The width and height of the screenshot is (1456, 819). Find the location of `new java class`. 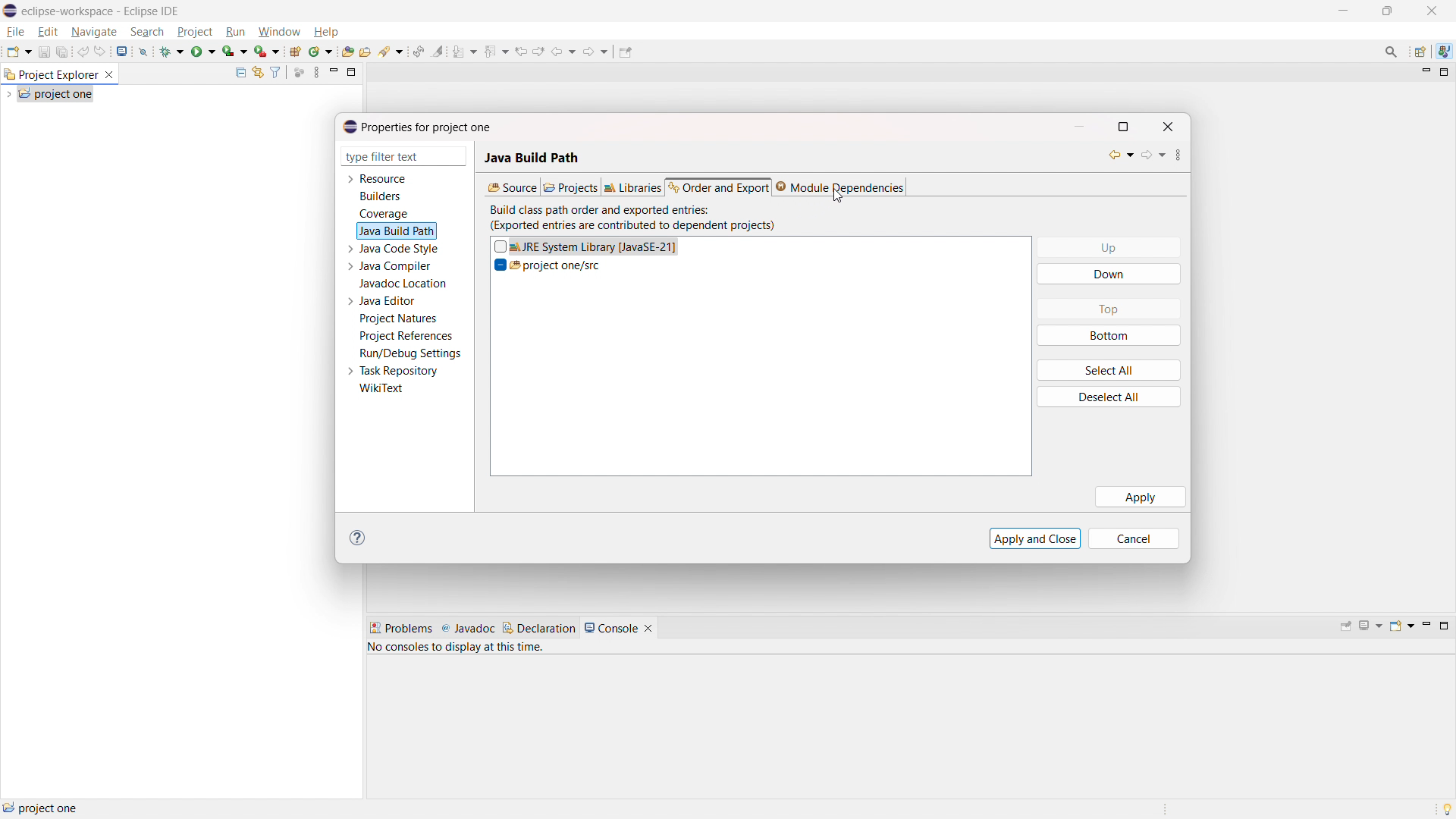

new java class is located at coordinates (321, 52).